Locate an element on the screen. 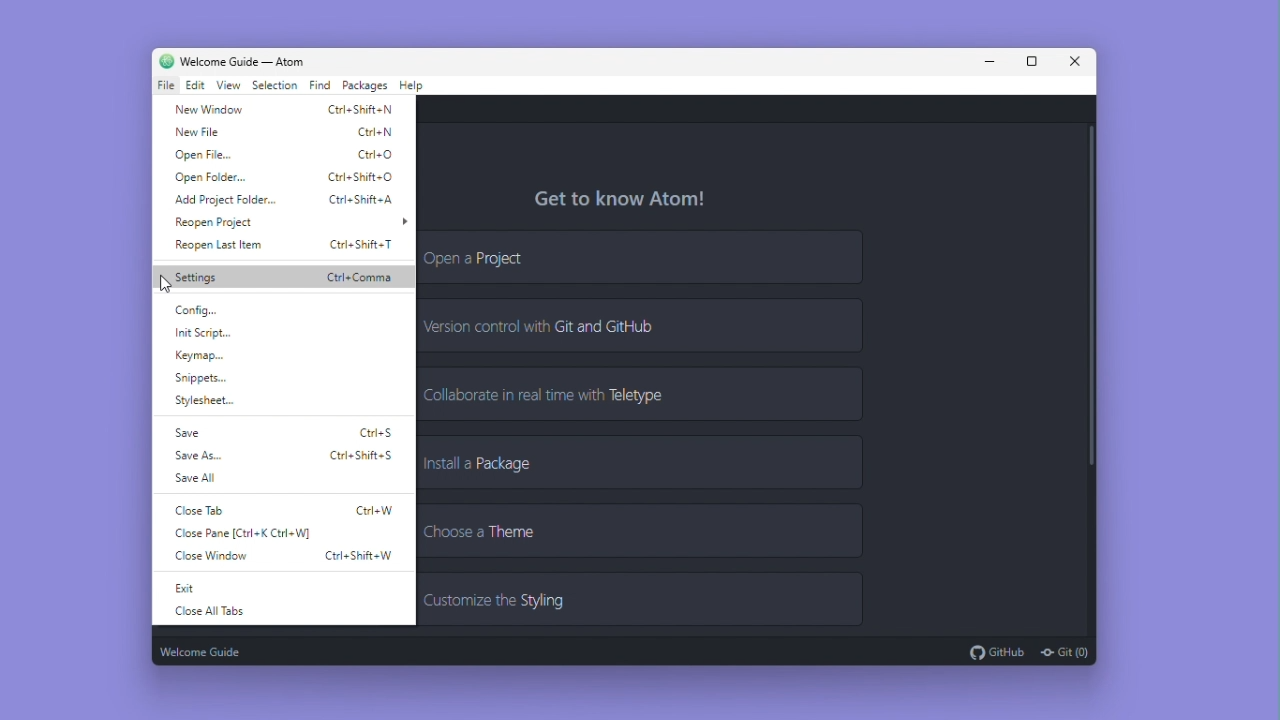 The height and width of the screenshot is (720, 1280). Reopen project is located at coordinates (291, 221).